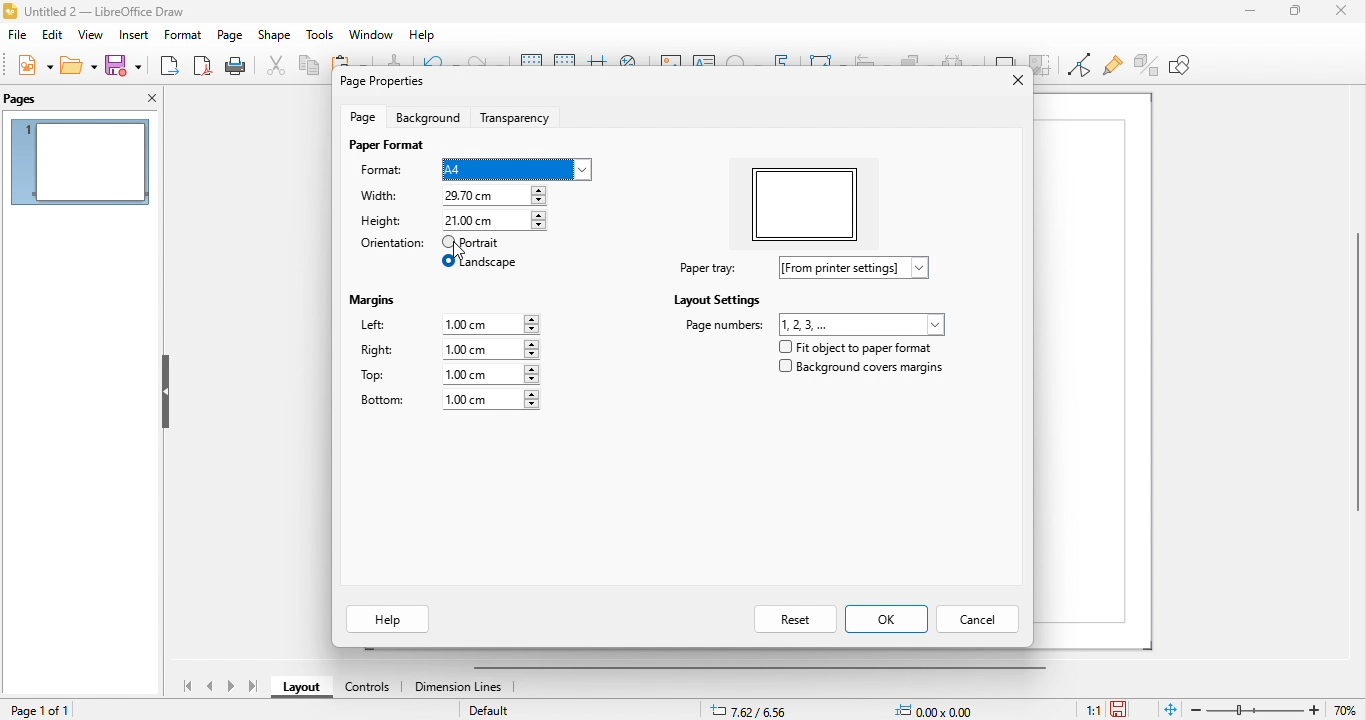 This screenshot has width=1366, height=720. I want to click on horizontal scroll bar, so click(771, 667).